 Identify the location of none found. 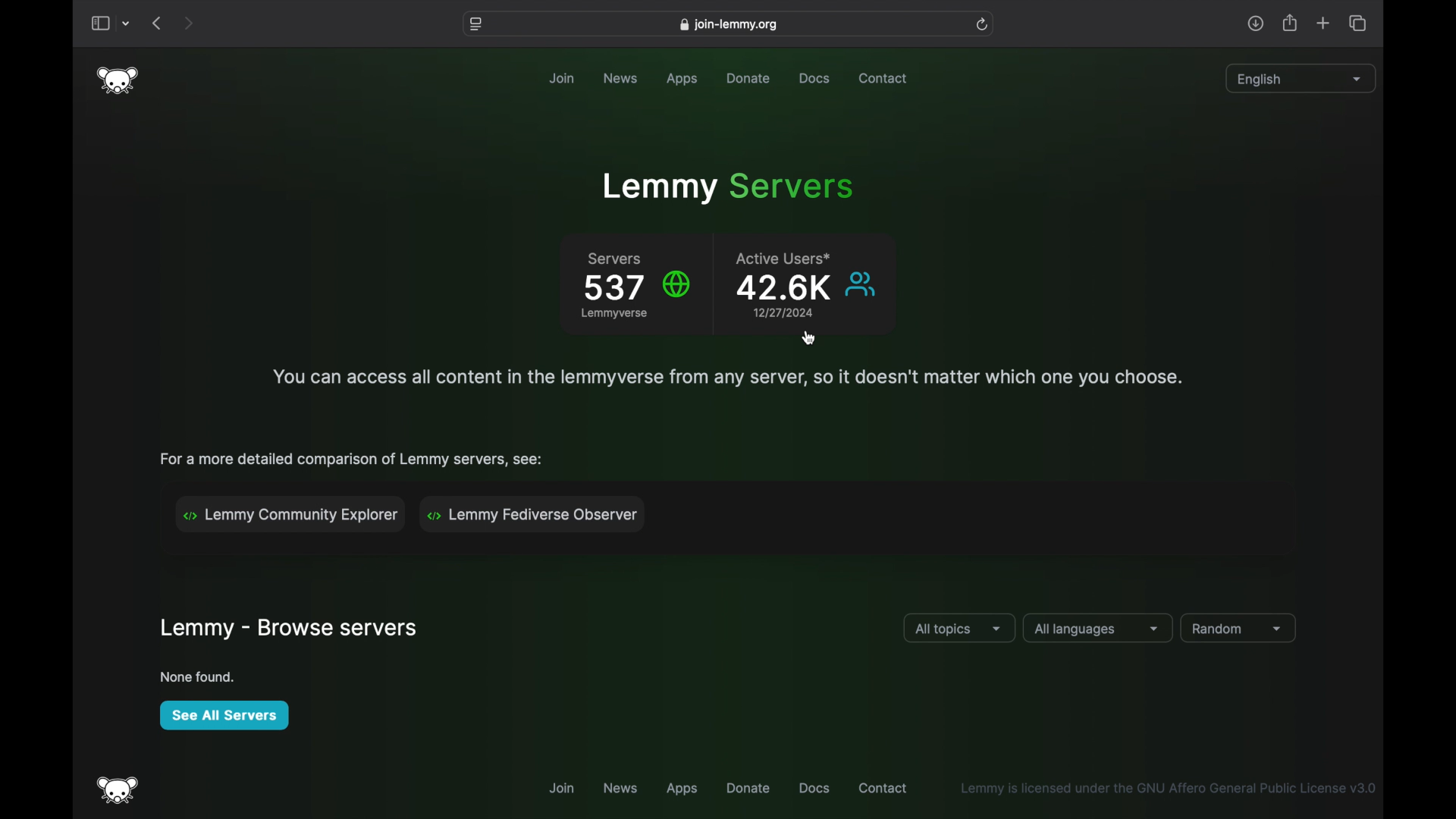
(197, 676).